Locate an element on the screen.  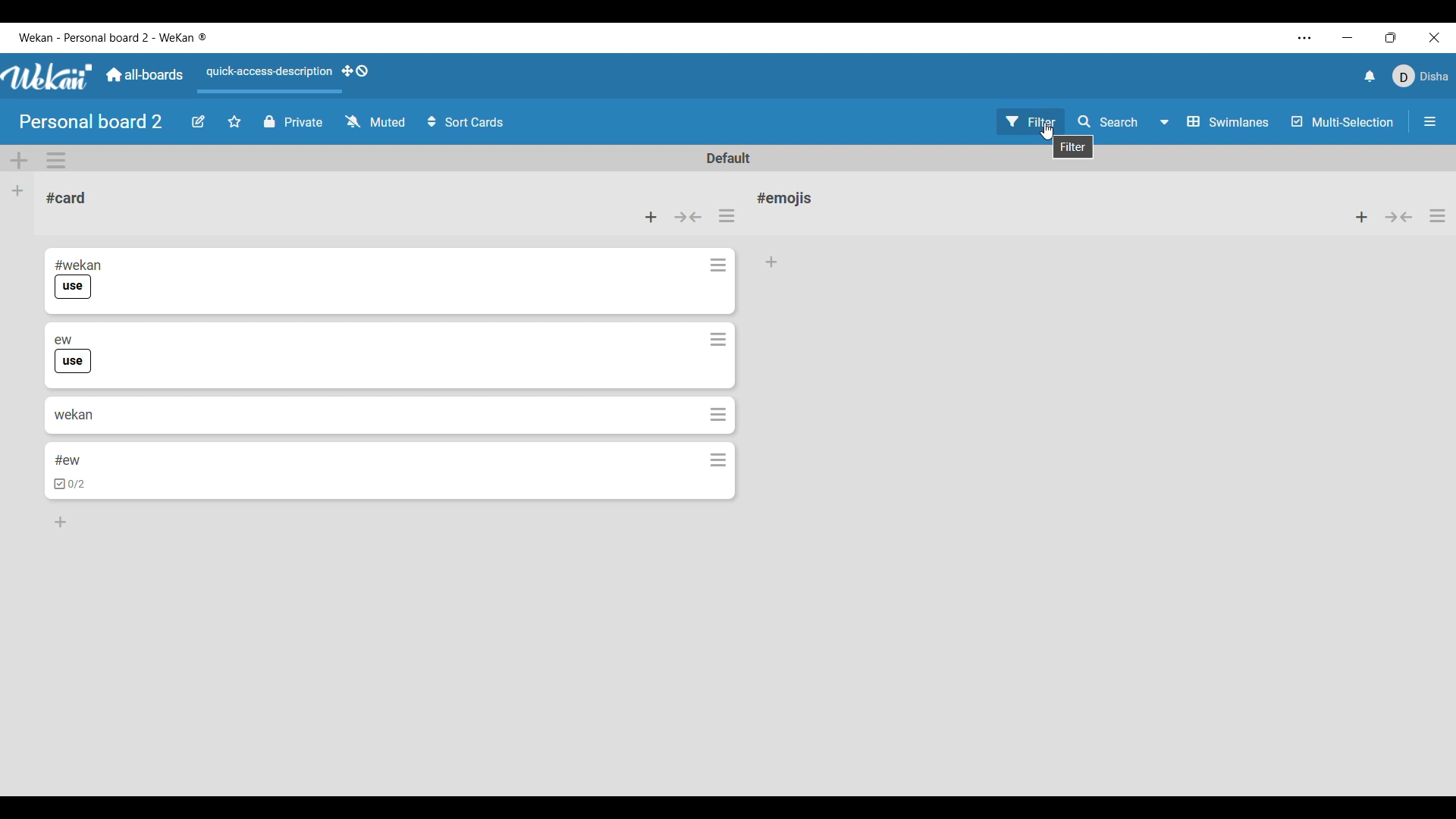
use is located at coordinates (73, 287).